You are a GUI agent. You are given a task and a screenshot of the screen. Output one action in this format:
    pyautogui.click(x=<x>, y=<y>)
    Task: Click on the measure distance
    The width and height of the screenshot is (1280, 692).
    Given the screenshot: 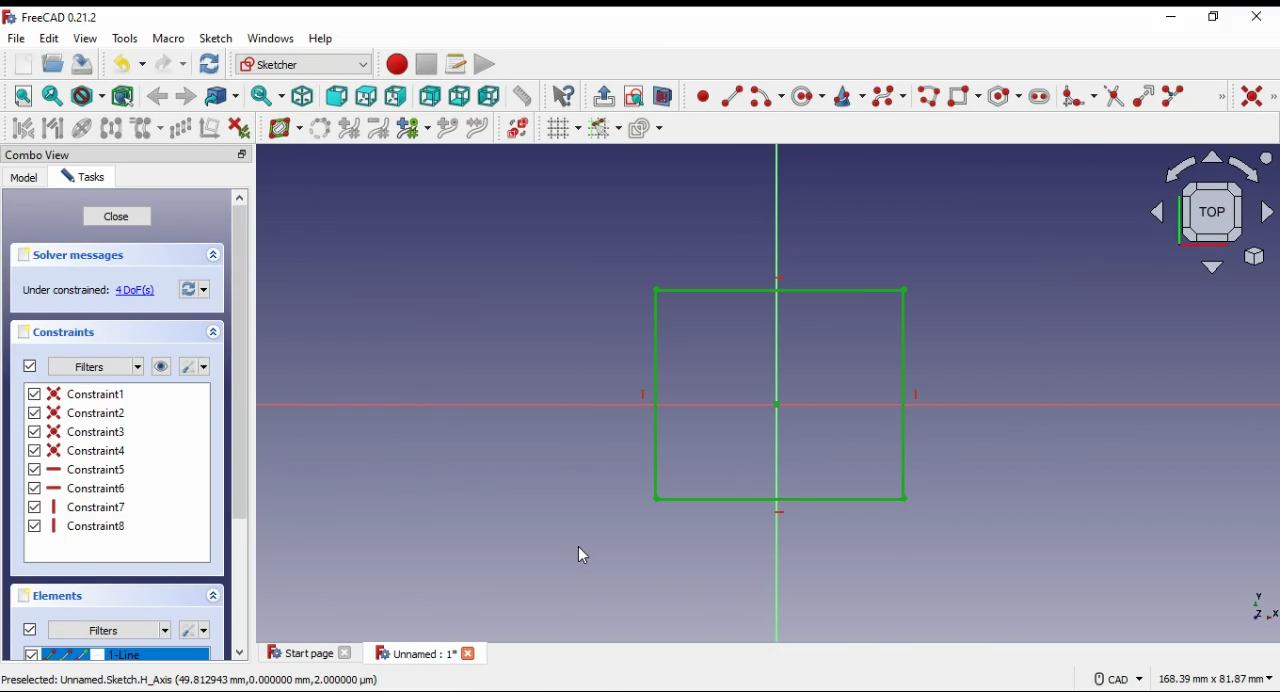 What is the action you would take?
    pyautogui.click(x=523, y=95)
    